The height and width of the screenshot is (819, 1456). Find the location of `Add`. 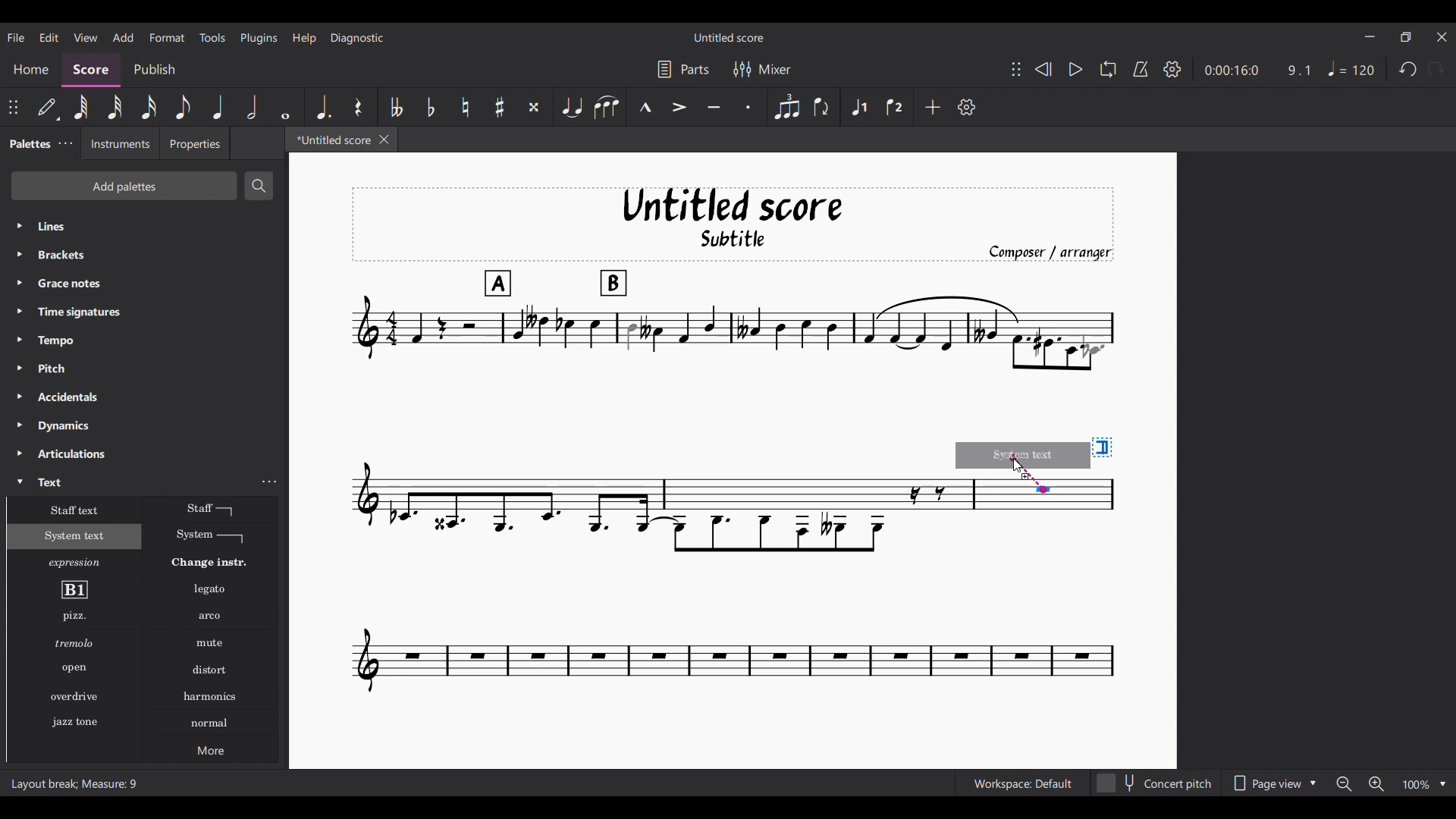

Add is located at coordinates (932, 107).